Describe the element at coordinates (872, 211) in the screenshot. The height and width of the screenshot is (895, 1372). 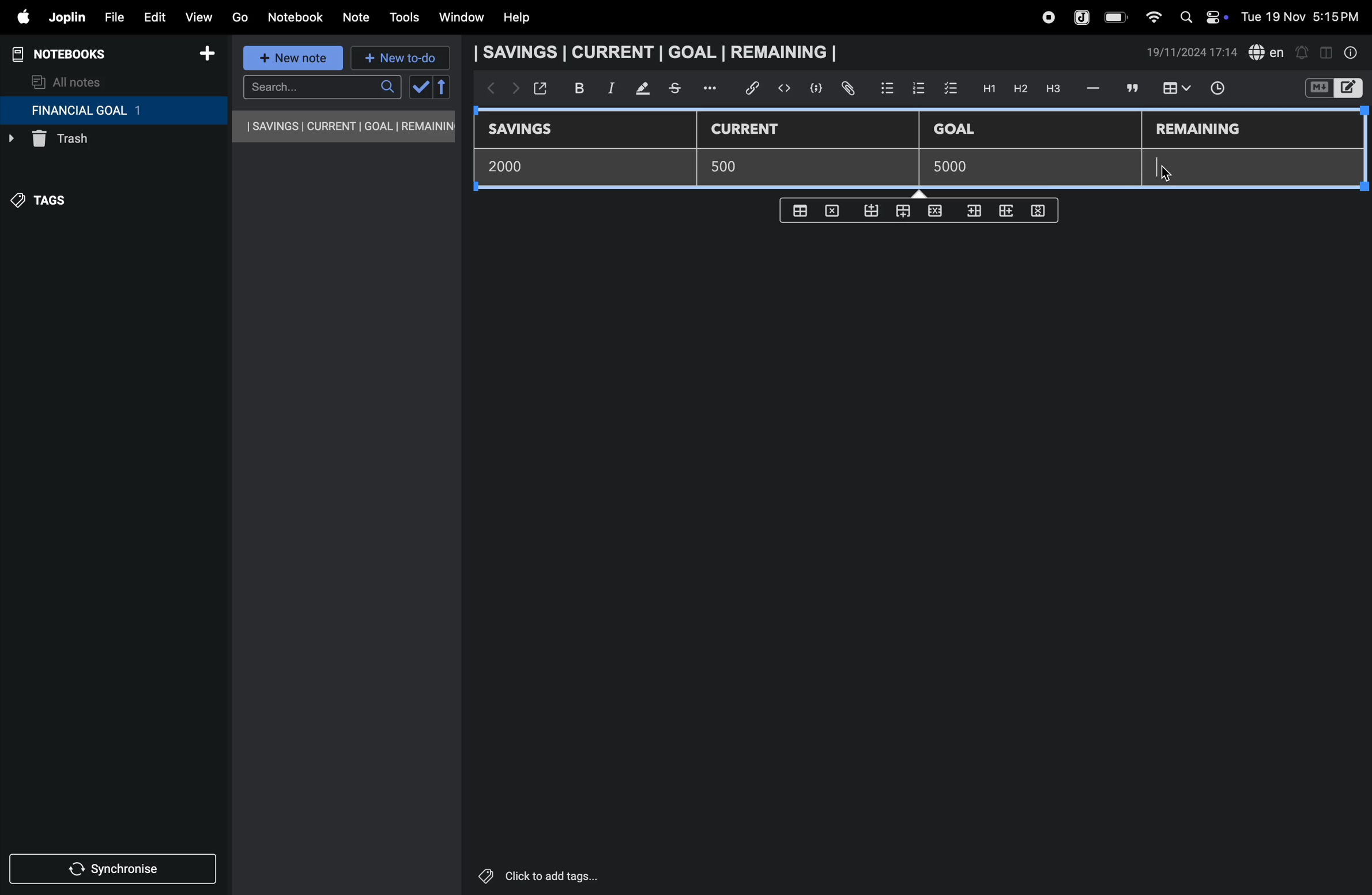
I see `from bottom` at that location.